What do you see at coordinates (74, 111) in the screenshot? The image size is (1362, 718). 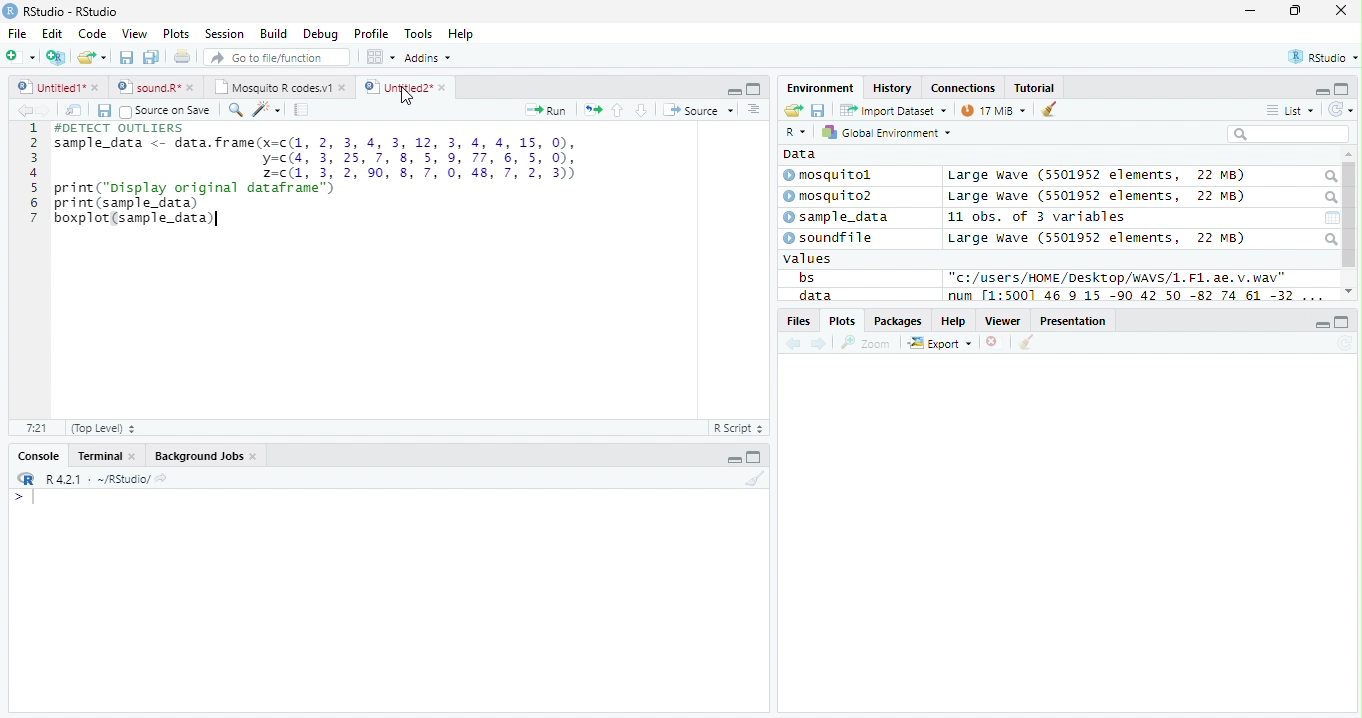 I see `Show in new window` at bounding box center [74, 111].